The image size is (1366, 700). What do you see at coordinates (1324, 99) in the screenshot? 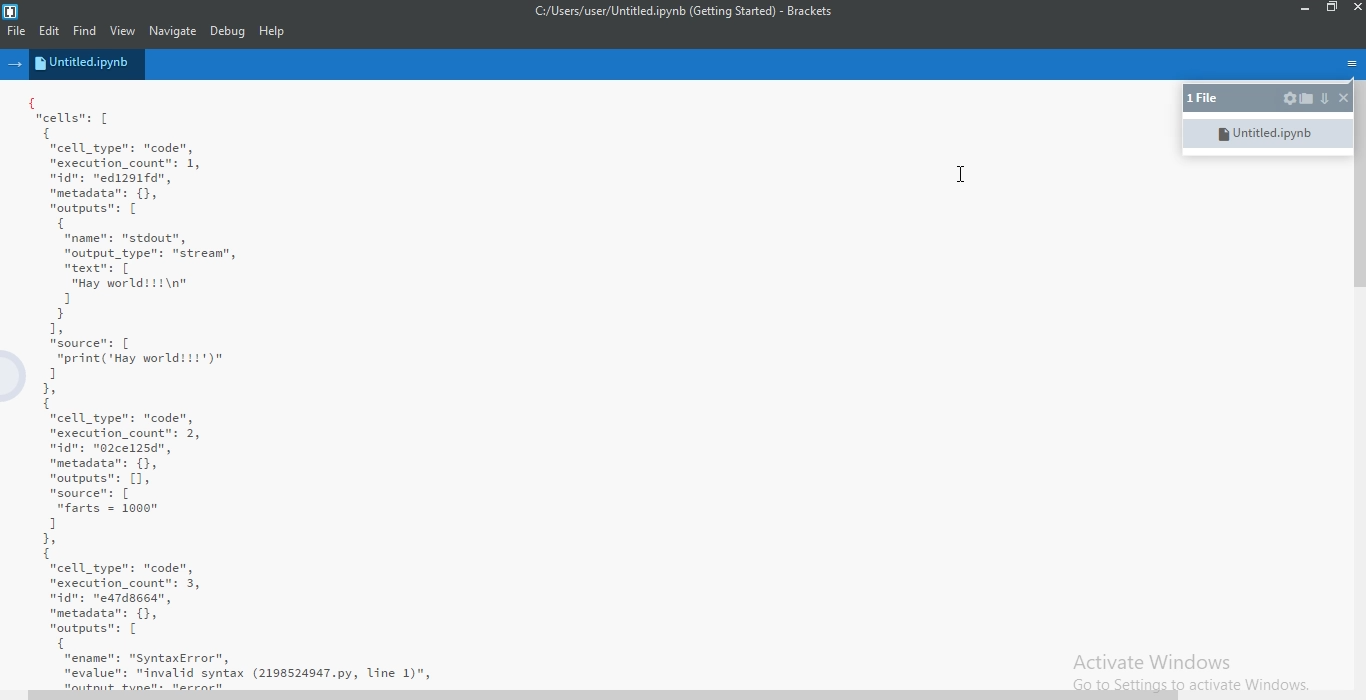
I see `down` at bounding box center [1324, 99].